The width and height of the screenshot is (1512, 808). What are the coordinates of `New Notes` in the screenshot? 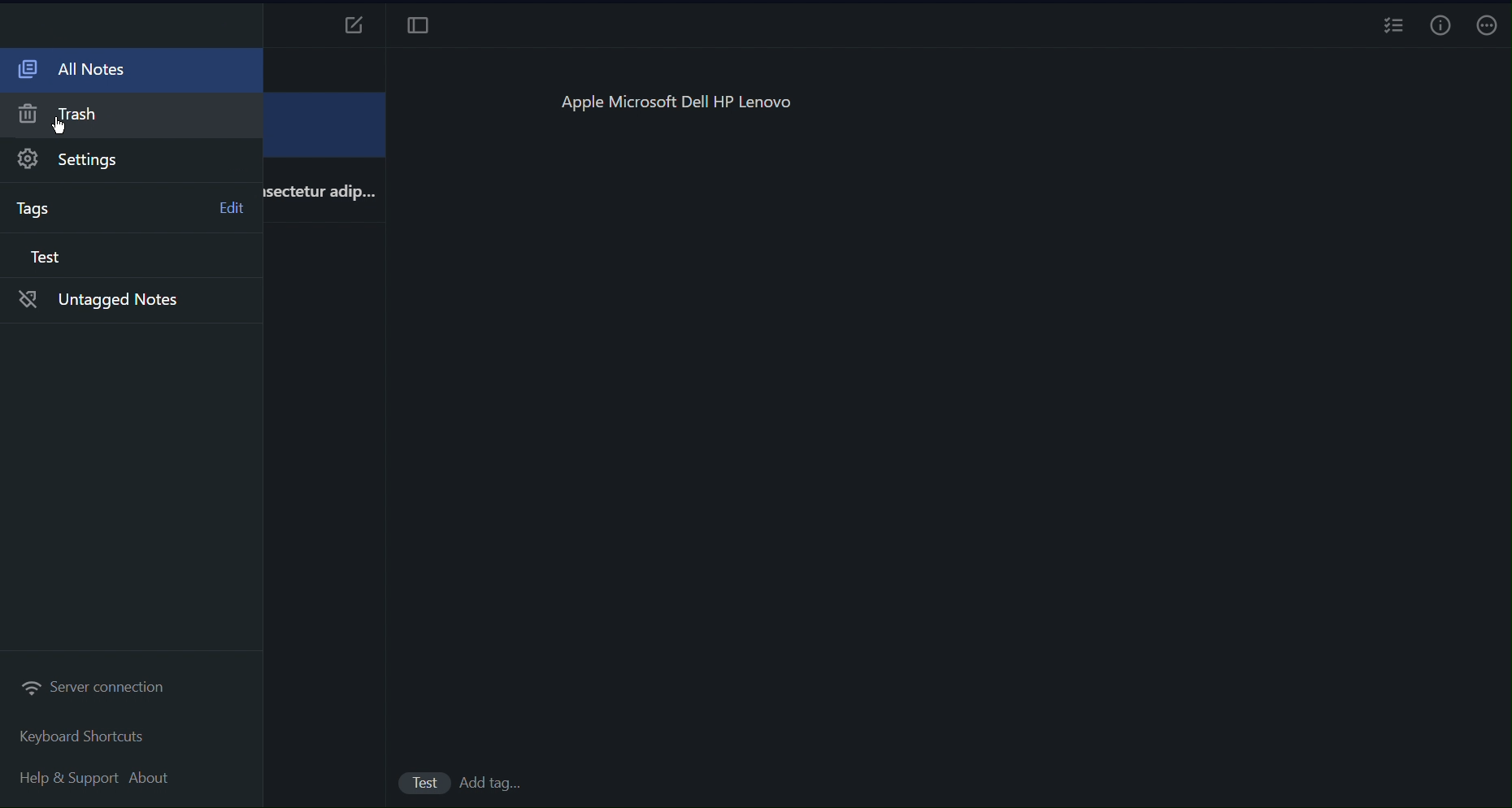 It's located at (352, 22).